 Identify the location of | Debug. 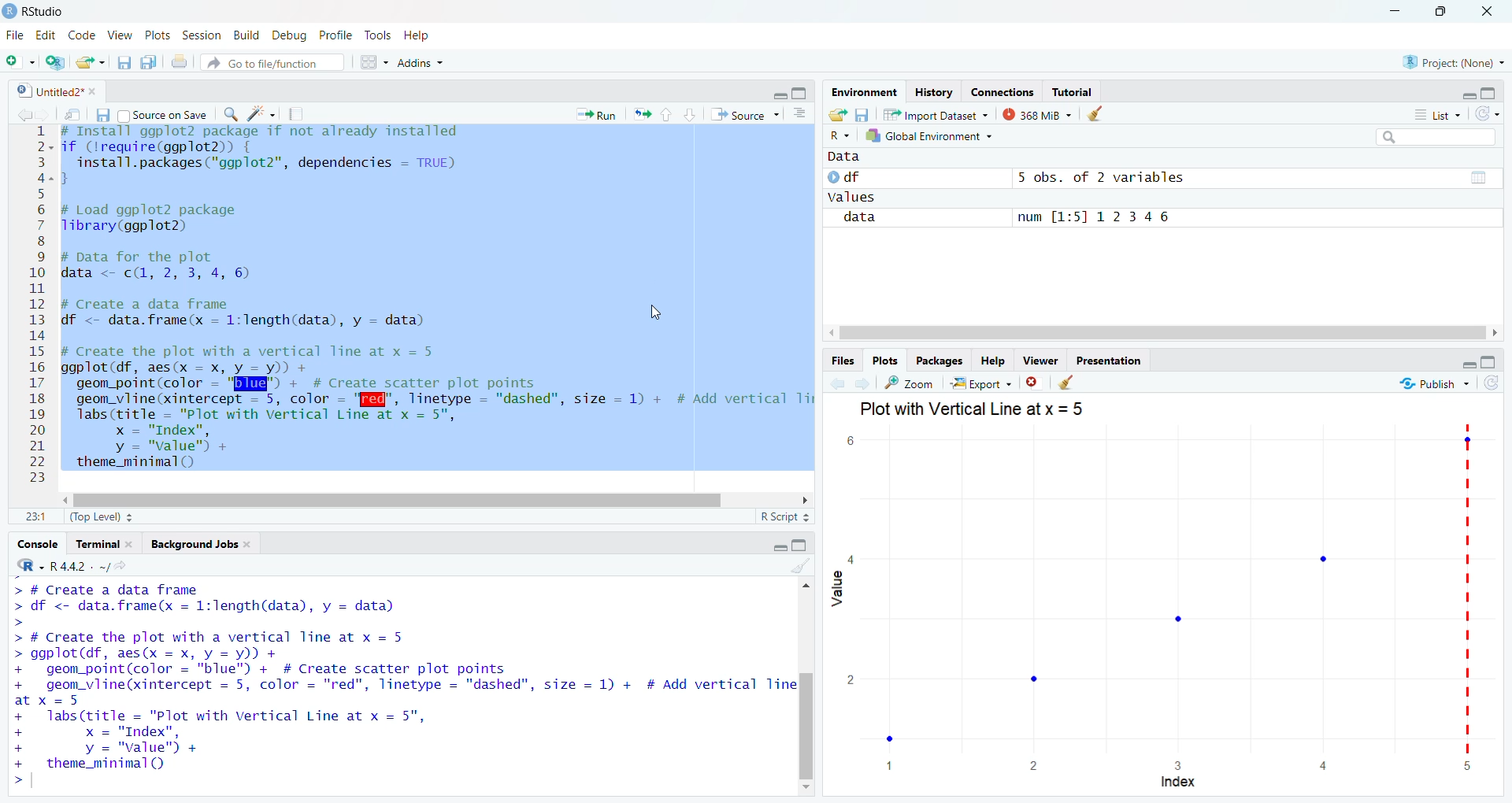
(291, 36).